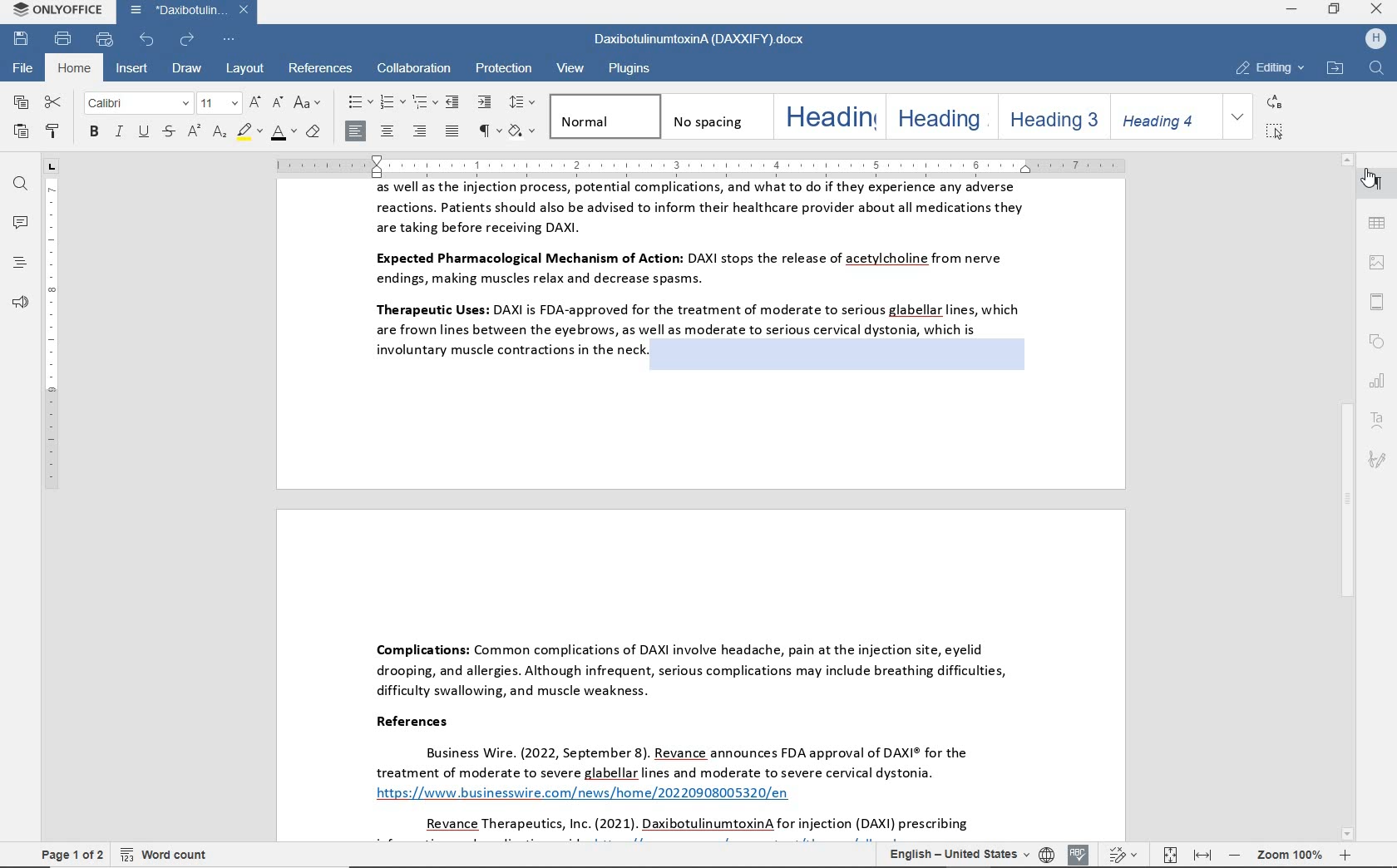  Describe the element at coordinates (1051, 116) in the screenshot. I see `heading 3` at that location.